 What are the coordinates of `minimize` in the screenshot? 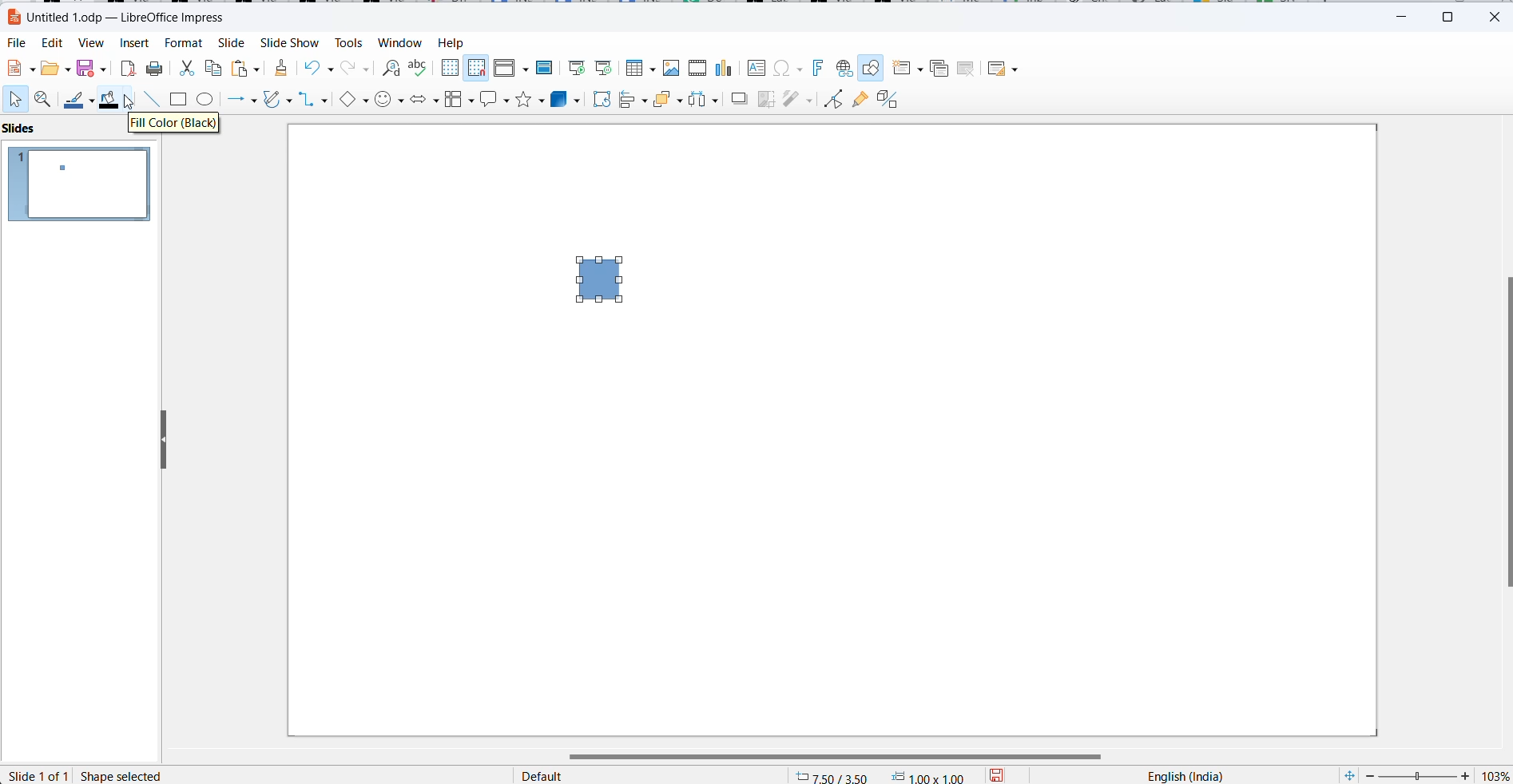 It's located at (1406, 14).